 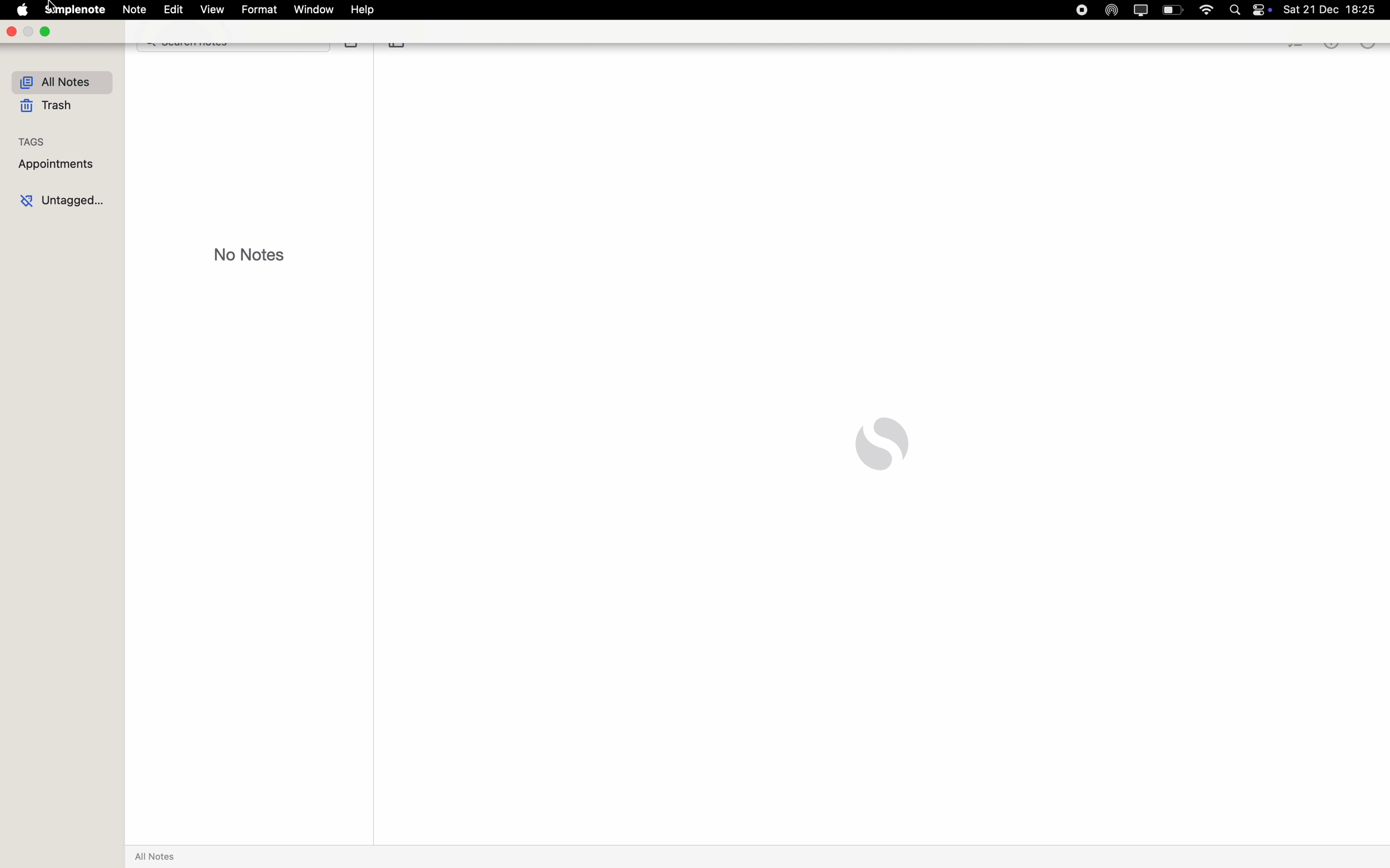 I want to click on screen, so click(x=1140, y=10).